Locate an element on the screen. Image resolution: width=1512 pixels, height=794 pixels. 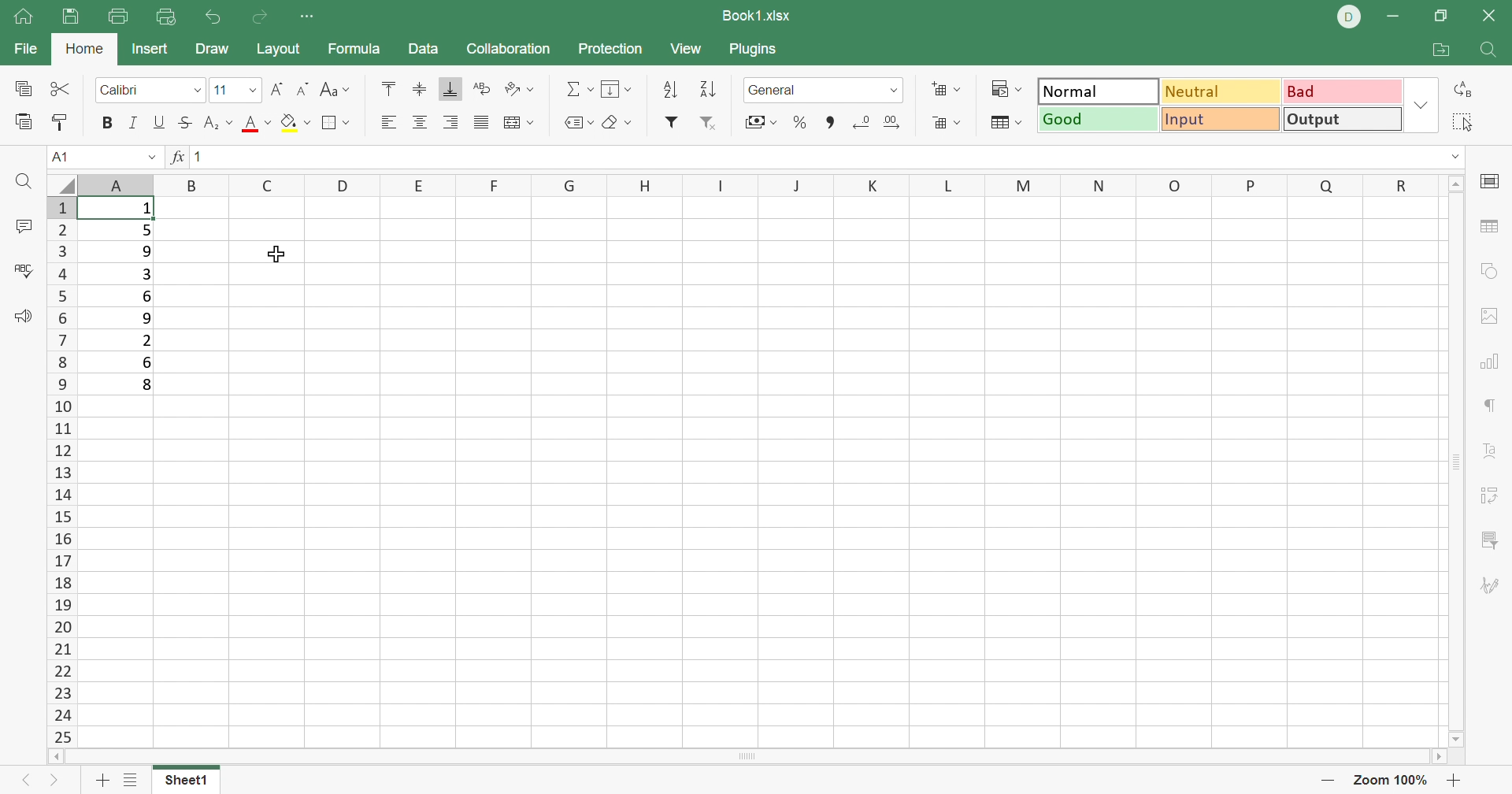
9 is located at coordinates (146, 317).